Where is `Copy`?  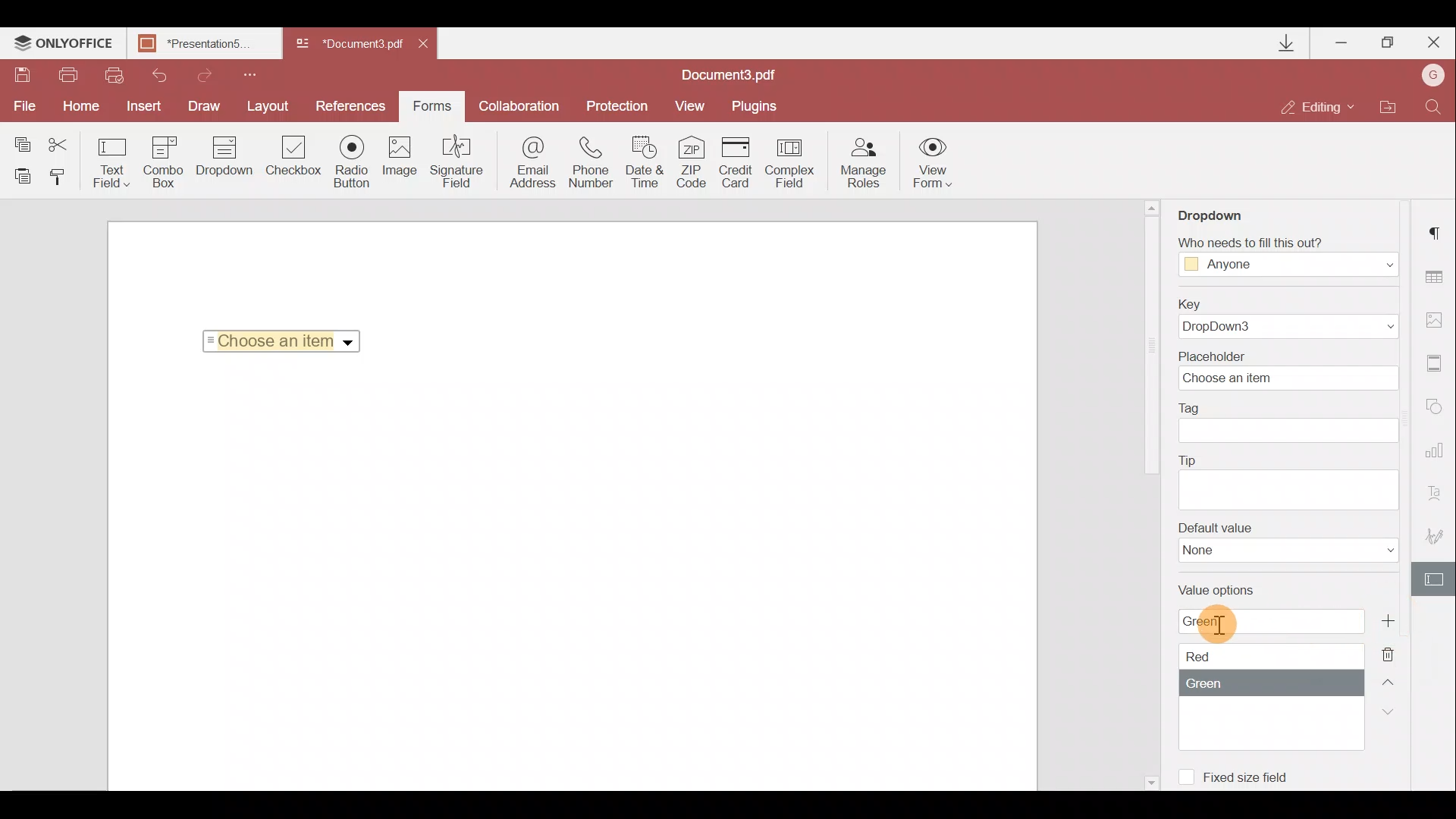
Copy is located at coordinates (18, 139).